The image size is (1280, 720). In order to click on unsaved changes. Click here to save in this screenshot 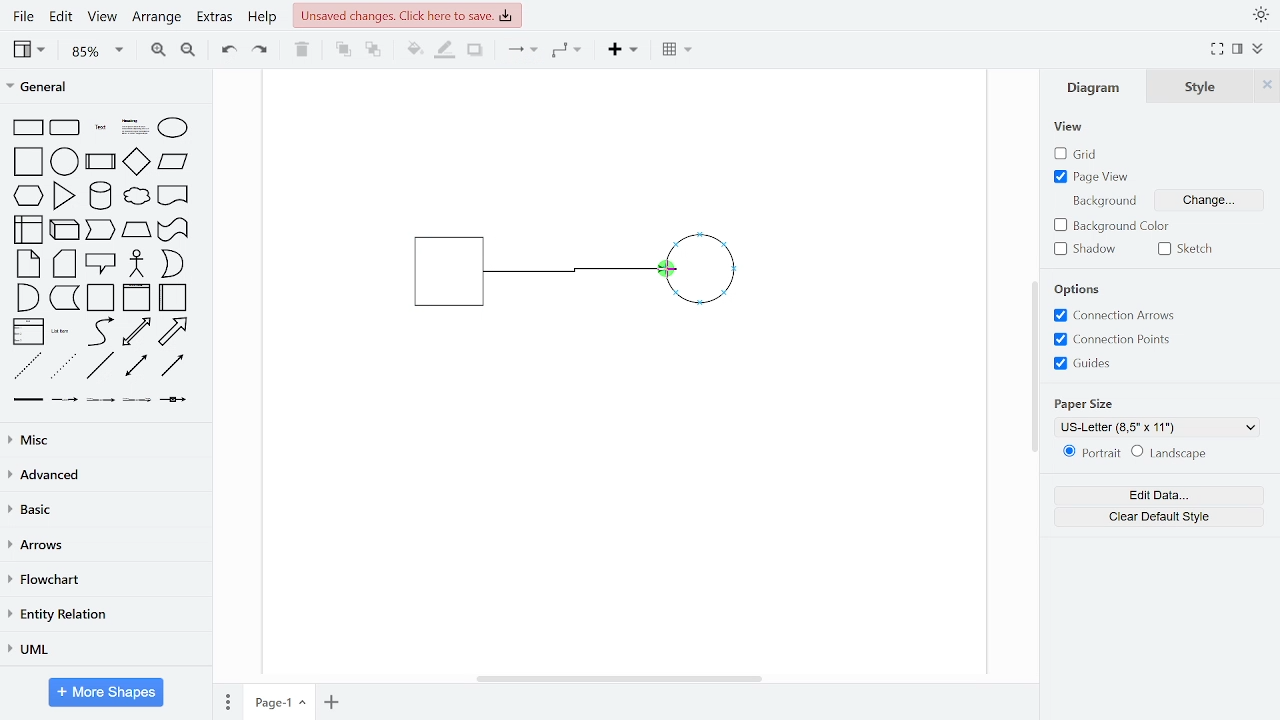, I will do `click(408, 14)`.